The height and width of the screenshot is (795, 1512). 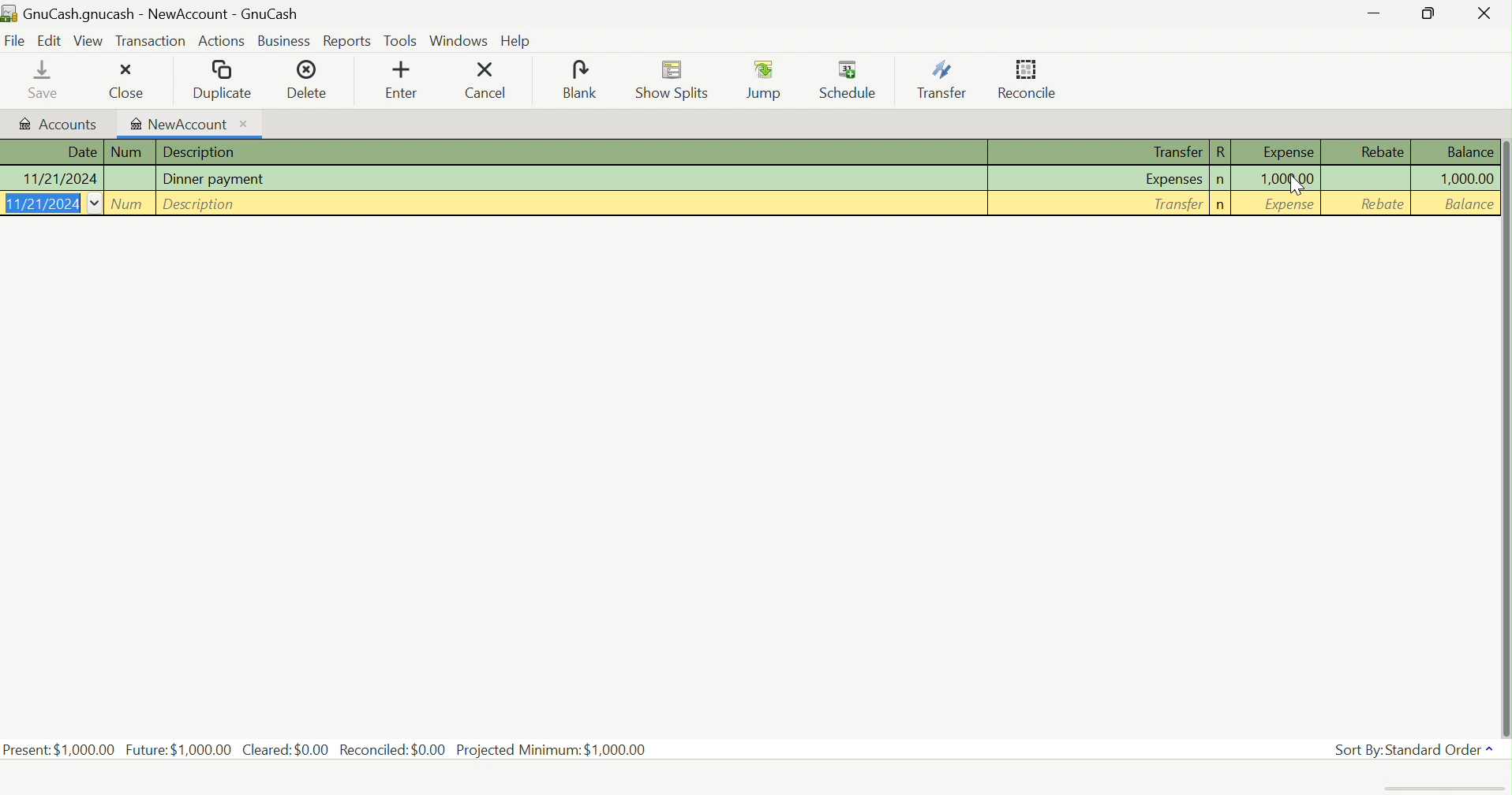 I want to click on Description, so click(x=203, y=205).